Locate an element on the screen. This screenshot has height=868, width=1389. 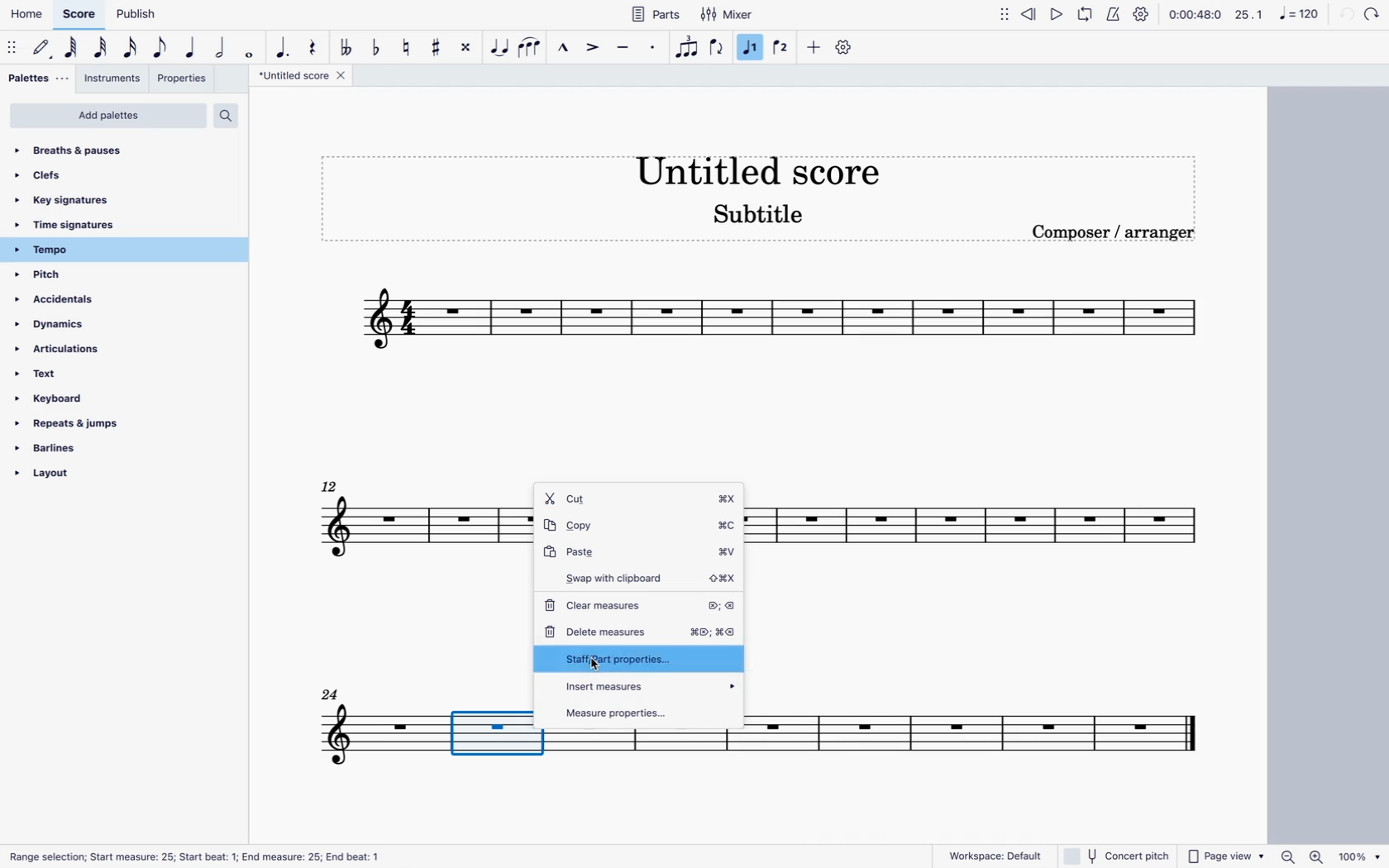
rewind is located at coordinates (1030, 13).